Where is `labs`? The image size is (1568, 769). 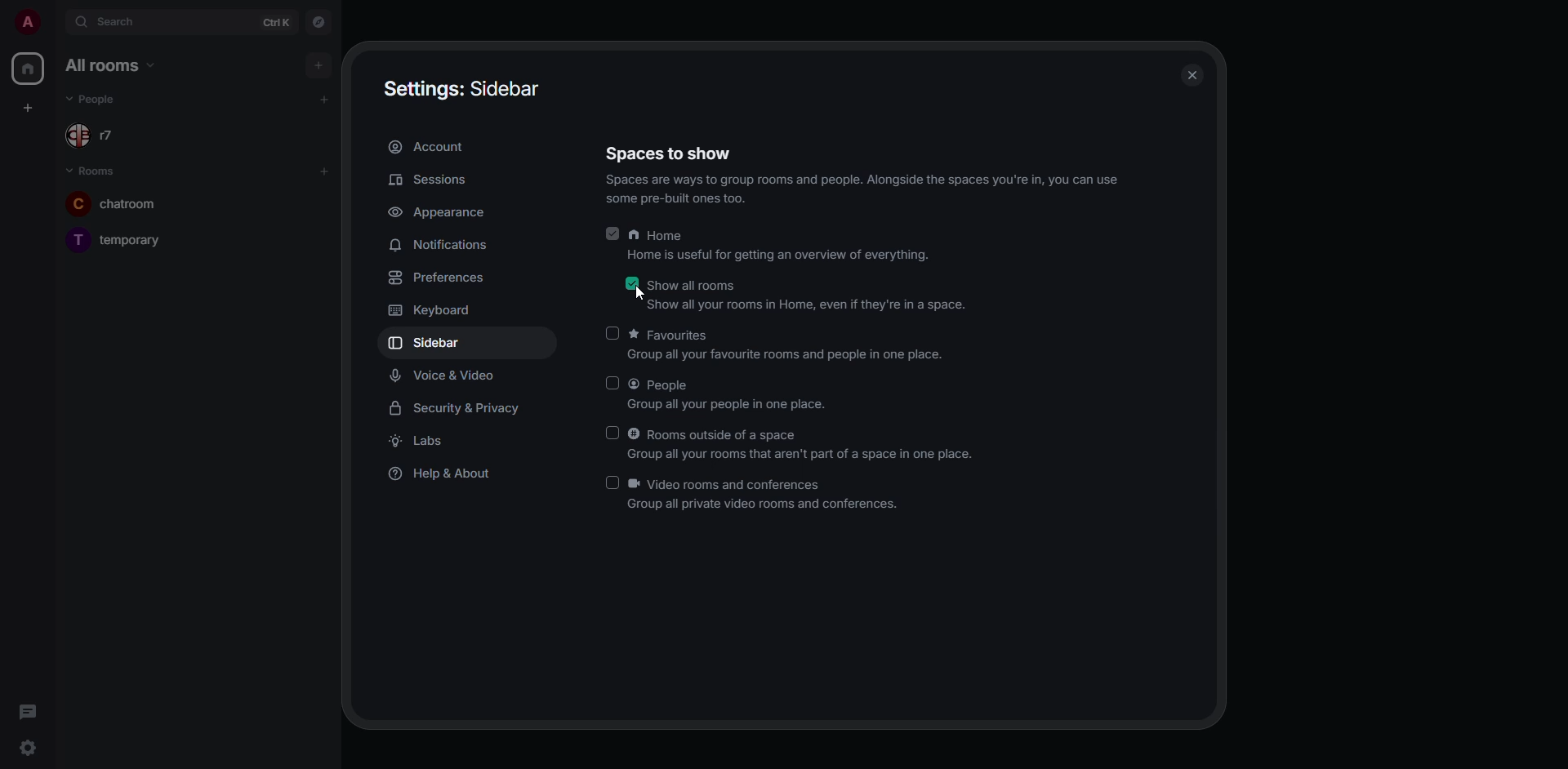 labs is located at coordinates (420, 442).